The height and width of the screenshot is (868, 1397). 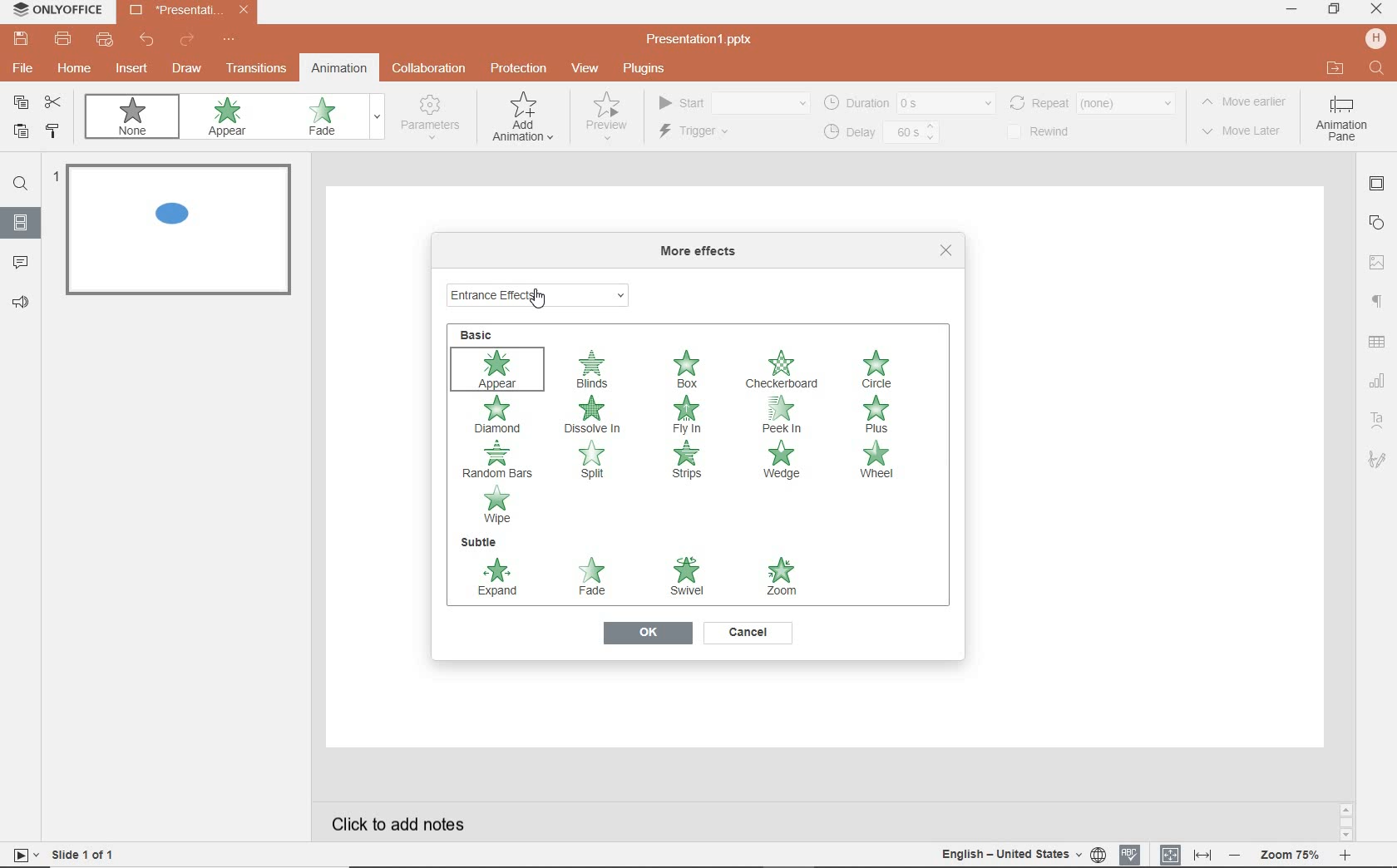 I want to click on zoom, so click(x=1292, y=853).